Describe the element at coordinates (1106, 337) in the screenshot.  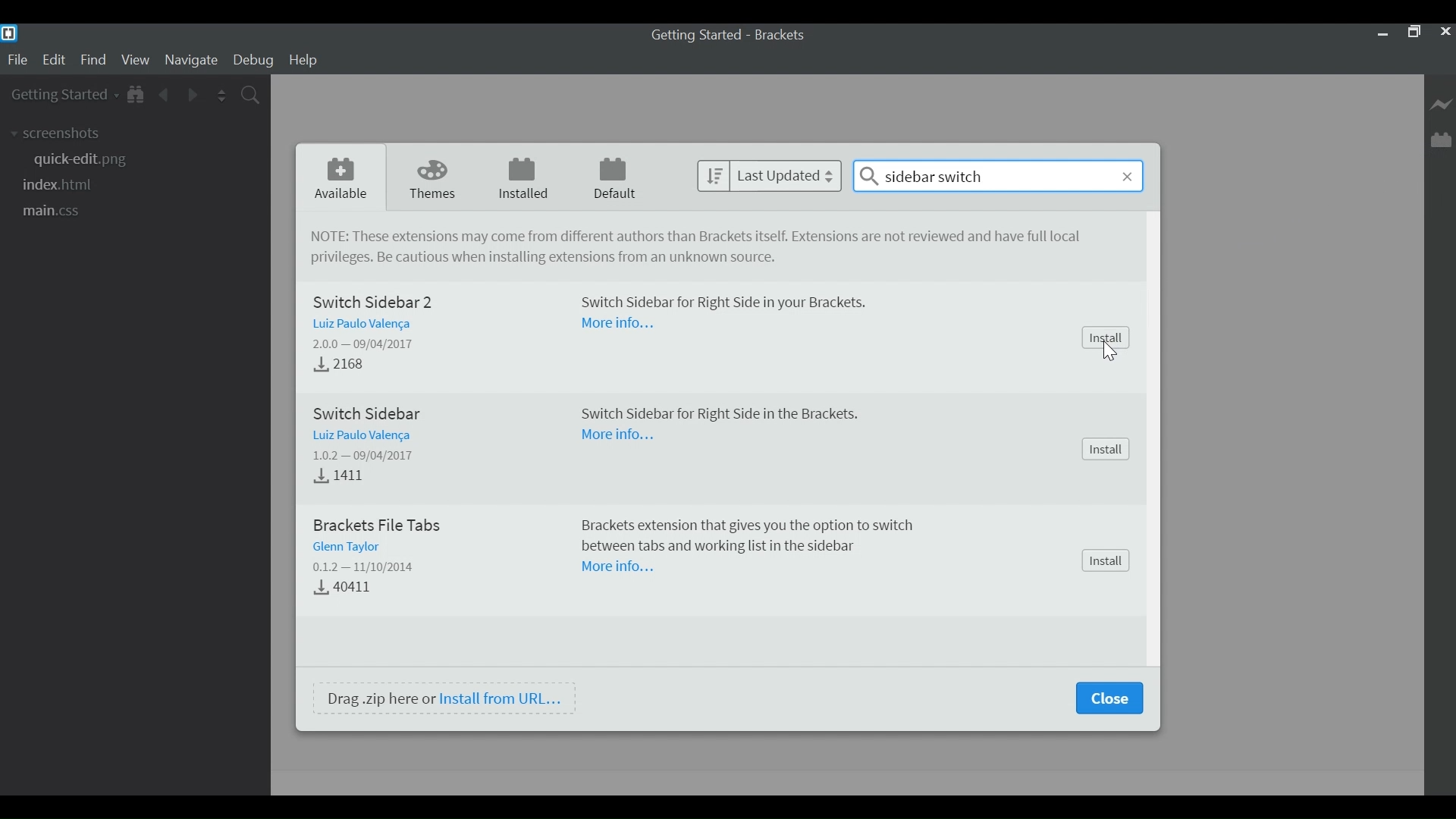
I see `Install` at that location.